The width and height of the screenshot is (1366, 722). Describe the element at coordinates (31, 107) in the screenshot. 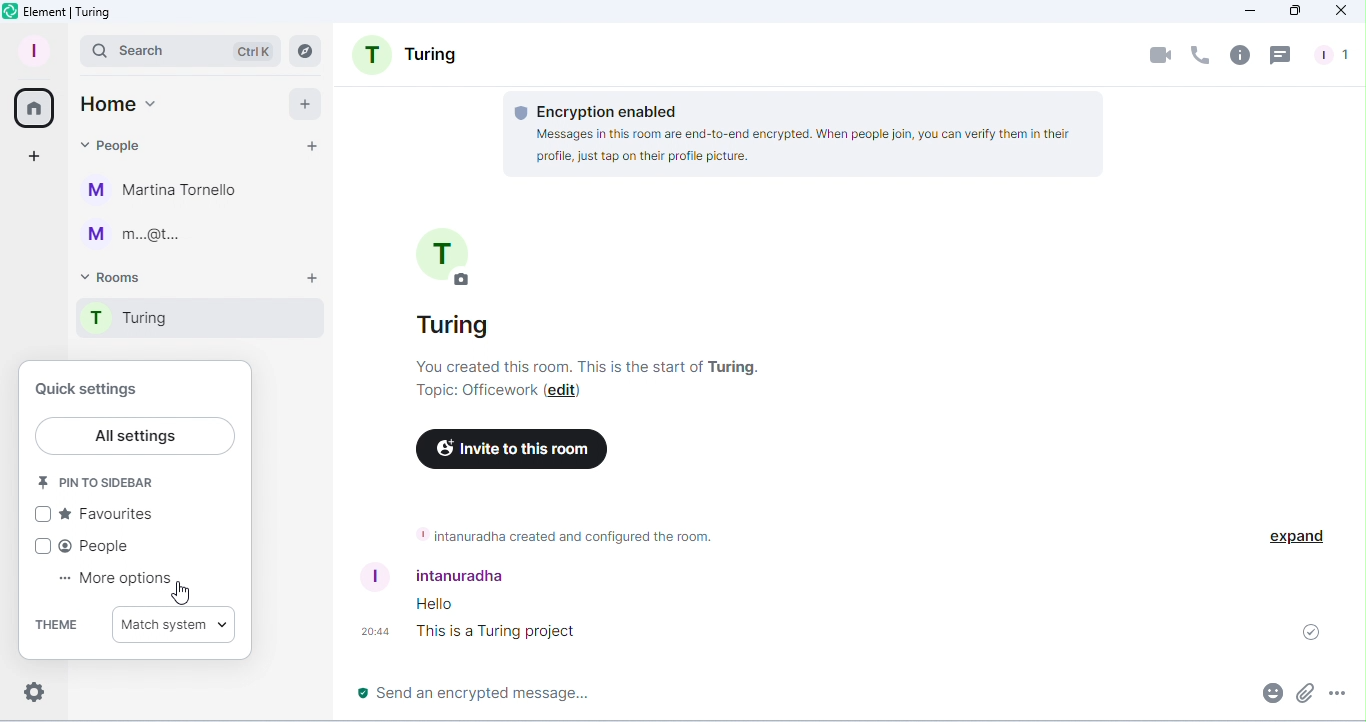

I see `Home` at that location.